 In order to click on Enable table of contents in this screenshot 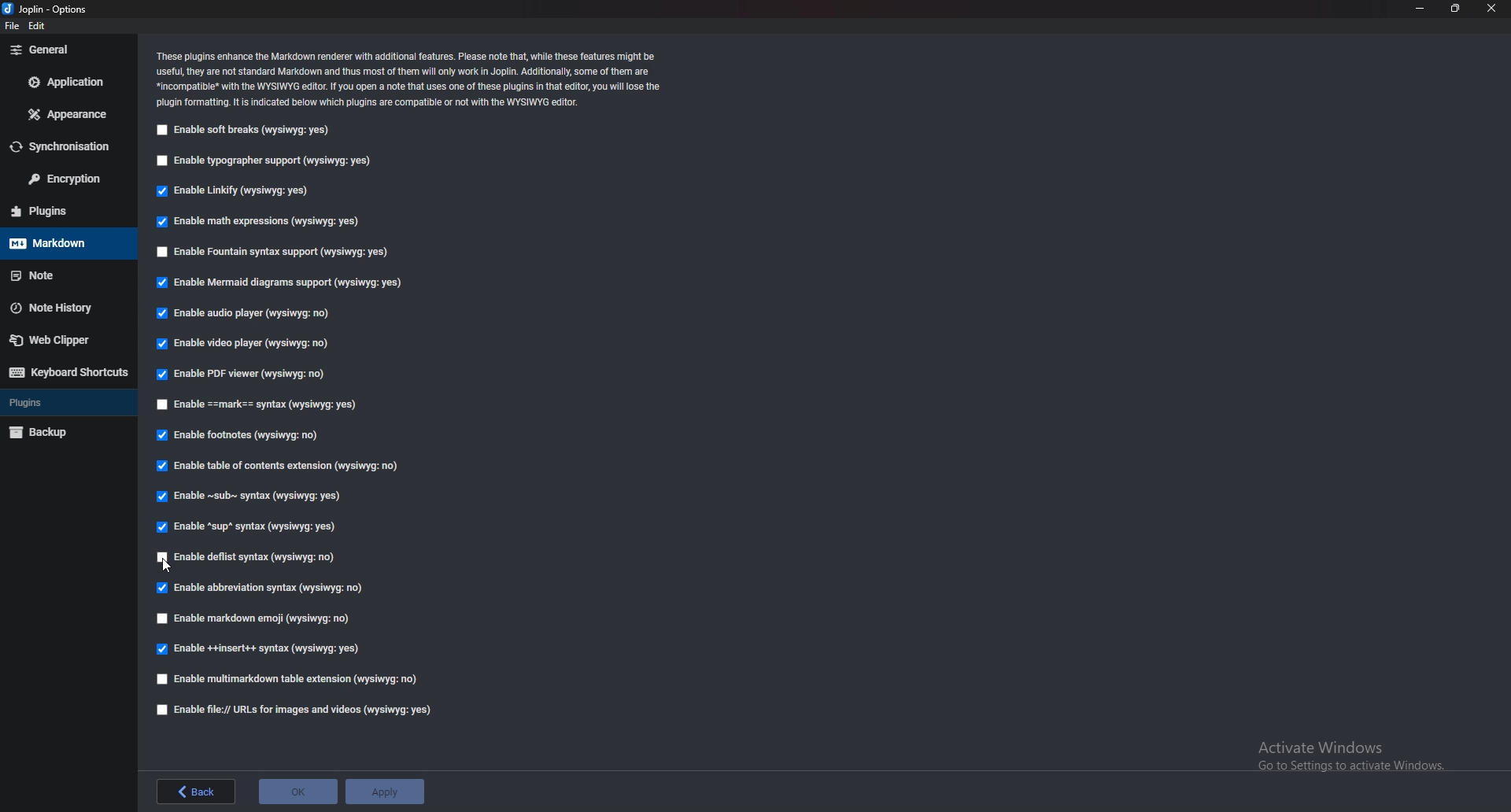, I will do `click(282, 465)`.